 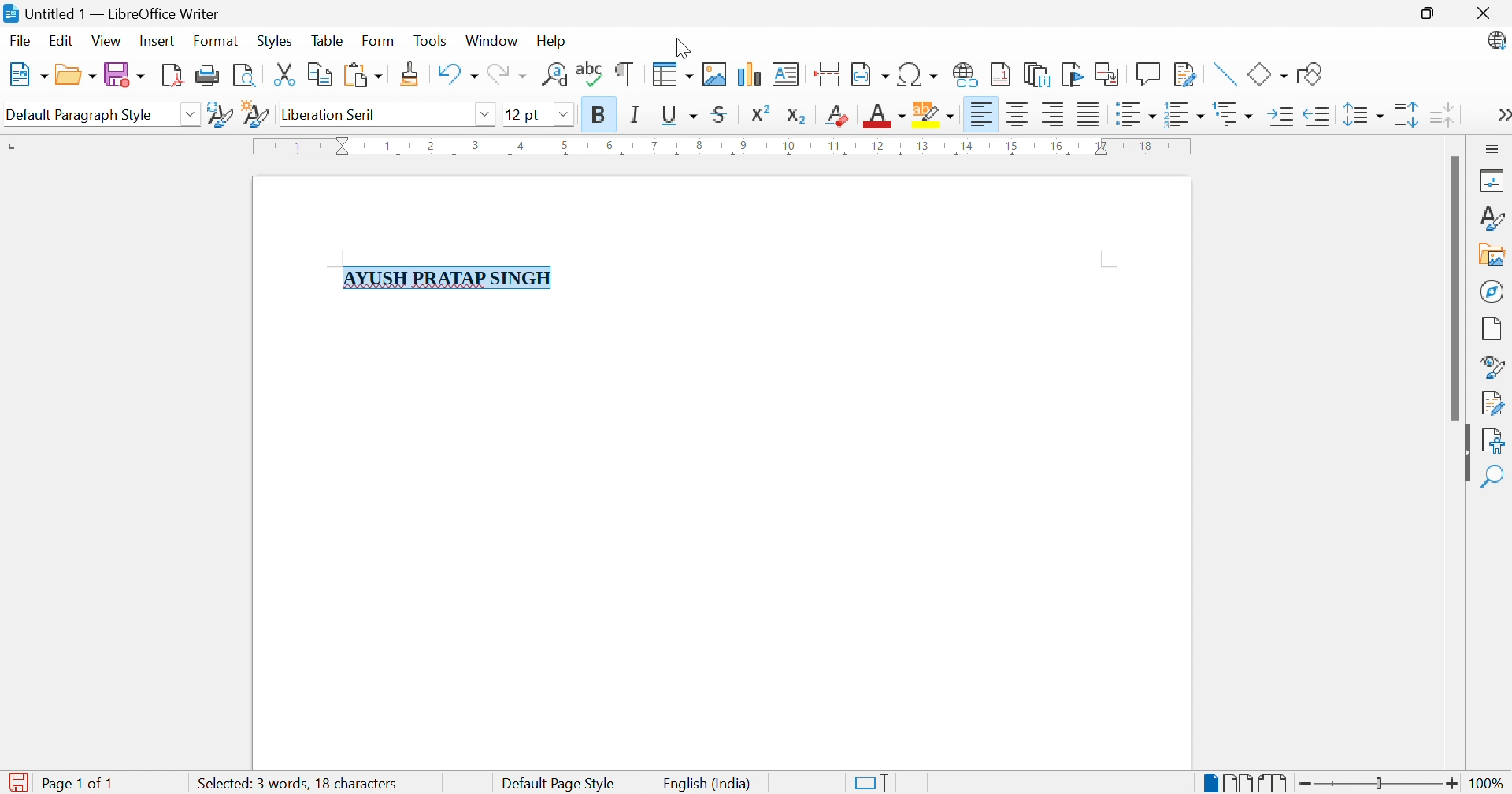 What do you see at coordinates (258, 114) in the screenshot?
I see `New Style From Selection` at bounding box center [258, 114].